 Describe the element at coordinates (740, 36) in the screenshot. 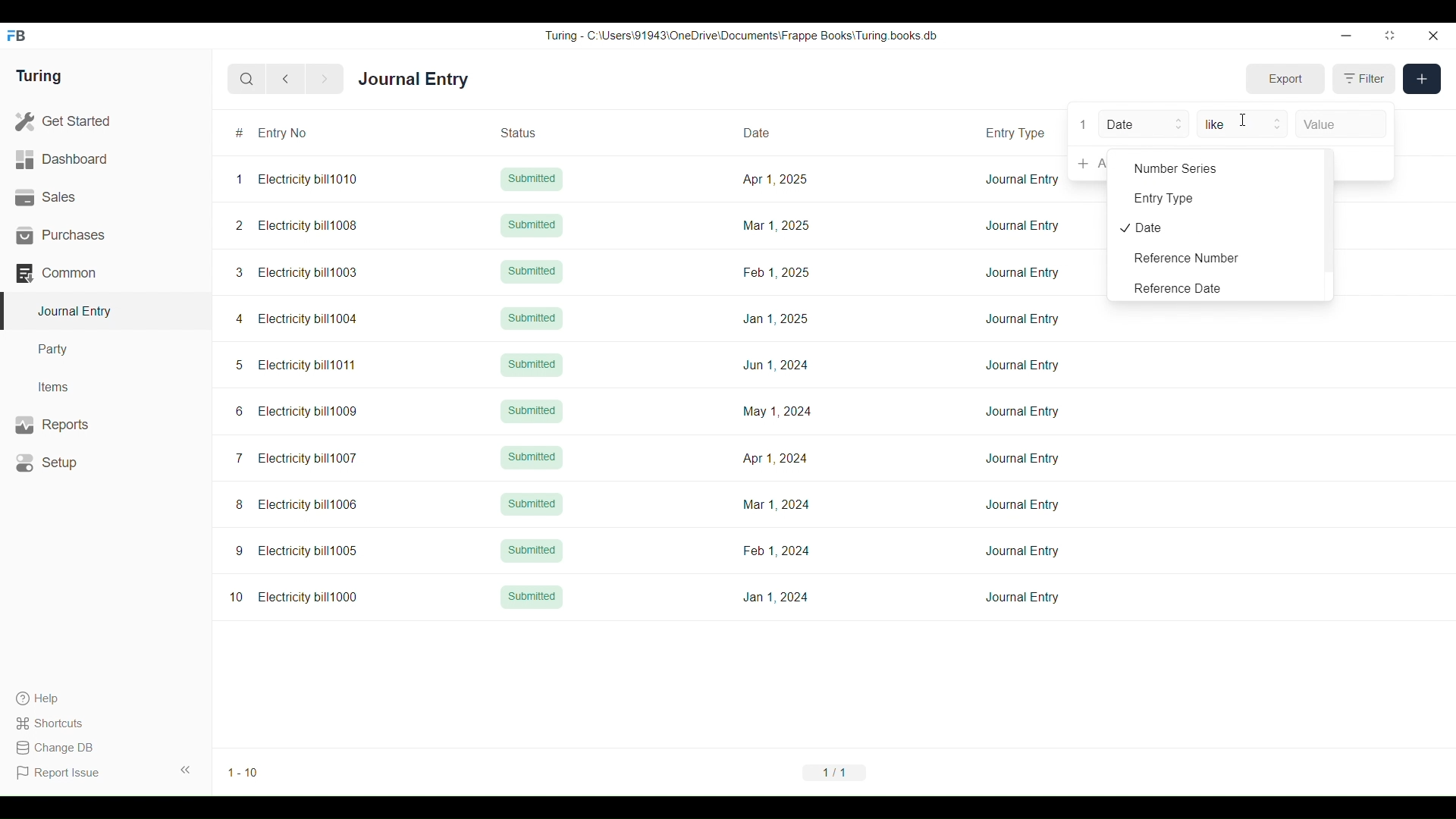

I see `Turing - C:\Users\91943\0neDrive\Documents\Frappe Books\ Turing books db` at that location.